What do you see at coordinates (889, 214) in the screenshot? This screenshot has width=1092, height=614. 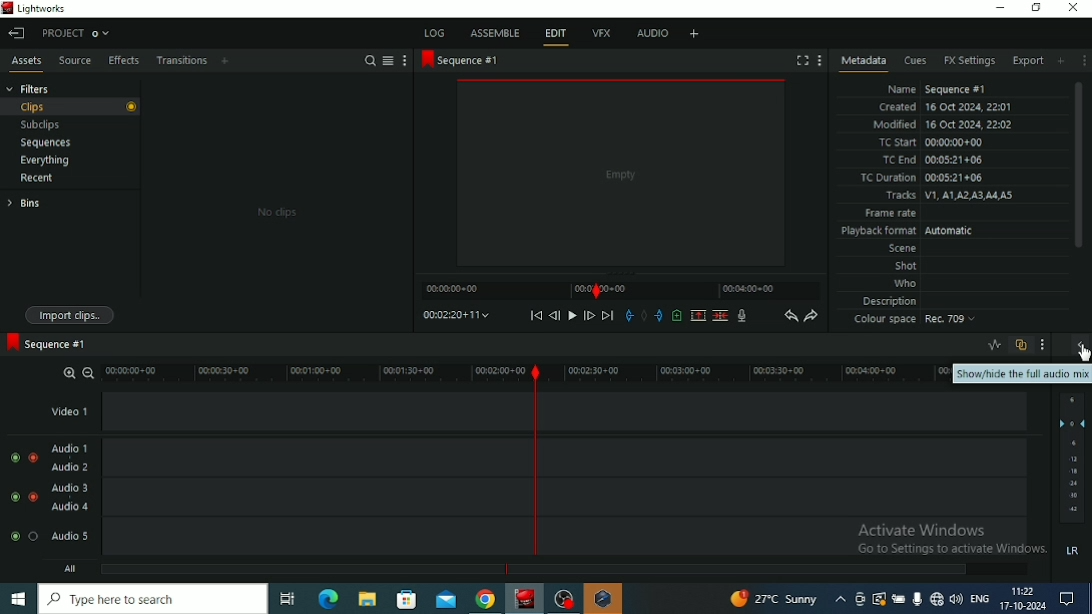 I see `Frame rate` at bounding box center [889, 214].